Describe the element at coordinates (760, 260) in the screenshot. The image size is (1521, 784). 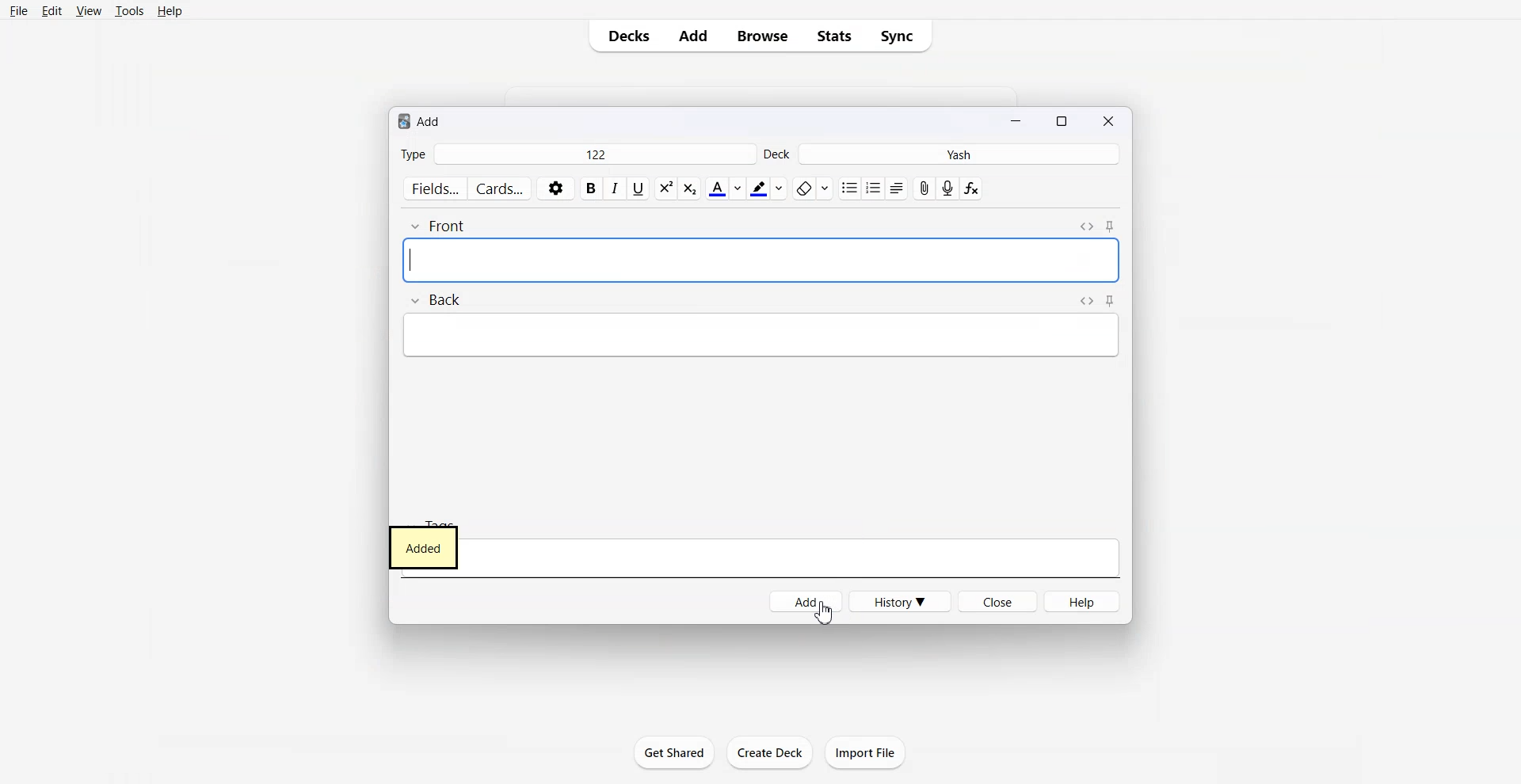
I see `[sound:giphy480p.mp4]` at that location.